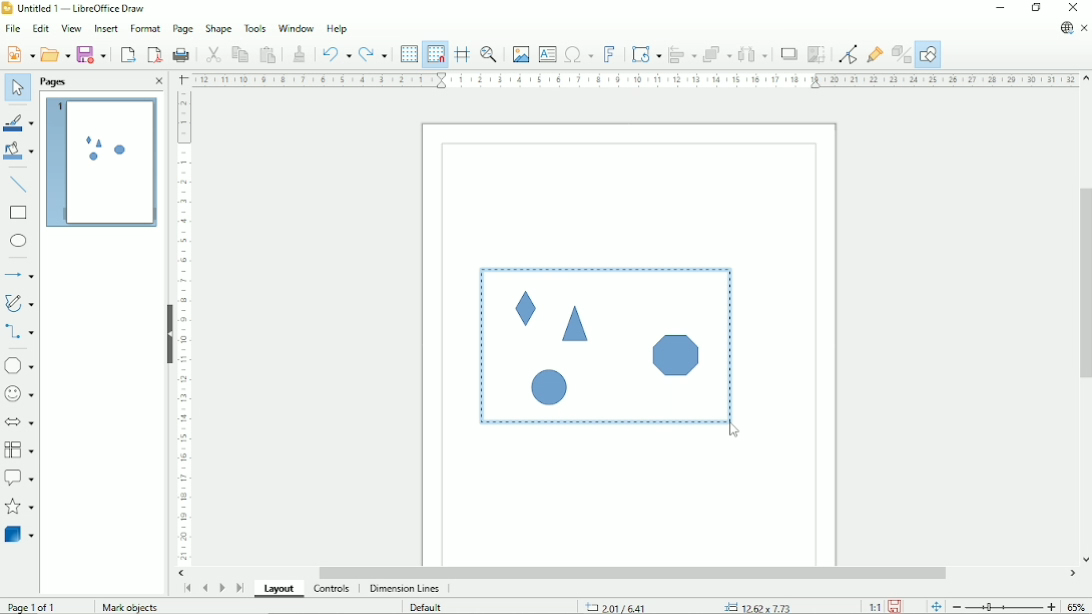  What do you see at coordinates (144, 29) in the screenshot?
I see `Format` at bounding box center [144, 29].